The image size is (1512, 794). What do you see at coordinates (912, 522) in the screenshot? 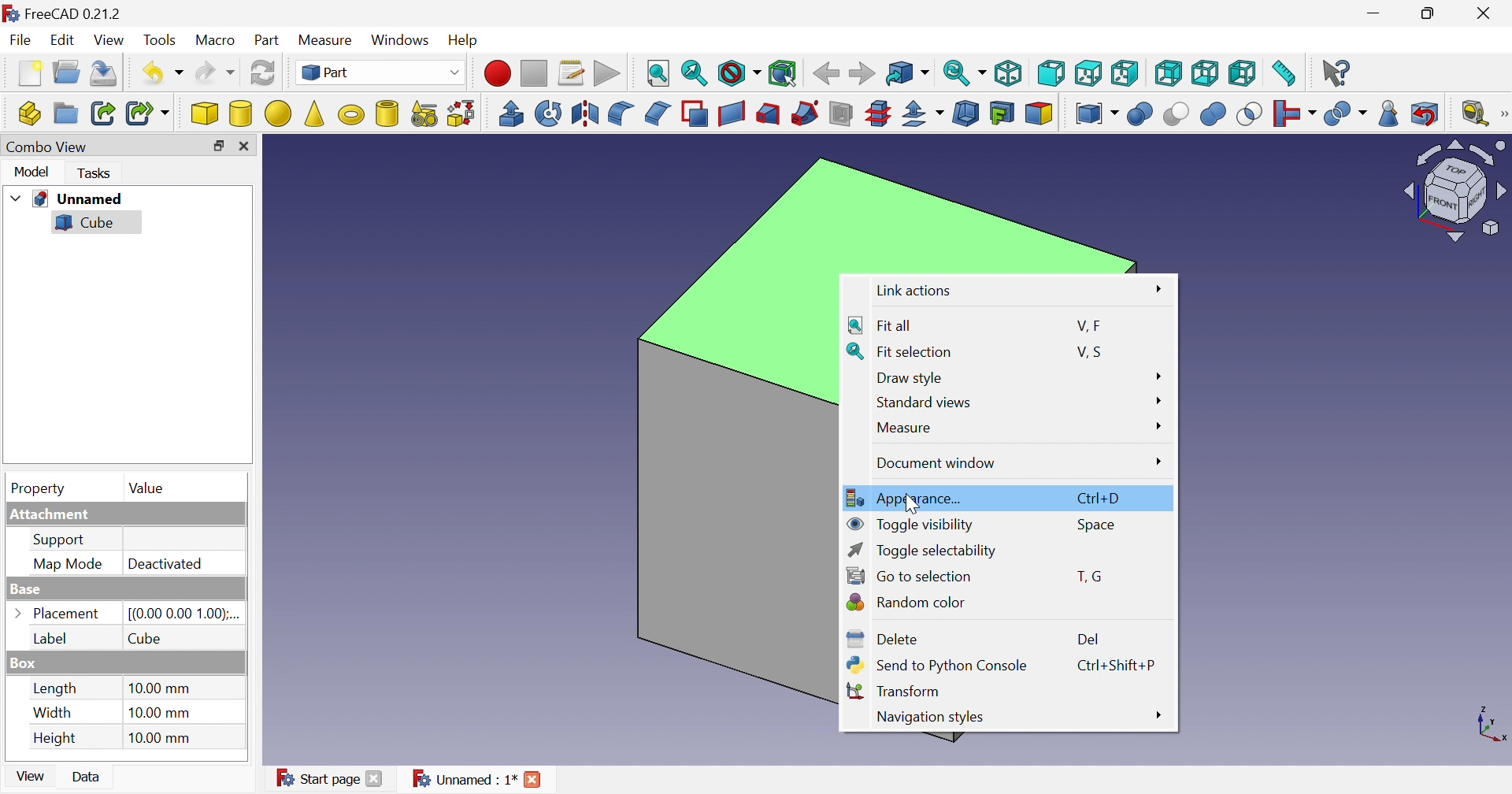
I see `Toggle visibility` at bounding box center [912, 522].